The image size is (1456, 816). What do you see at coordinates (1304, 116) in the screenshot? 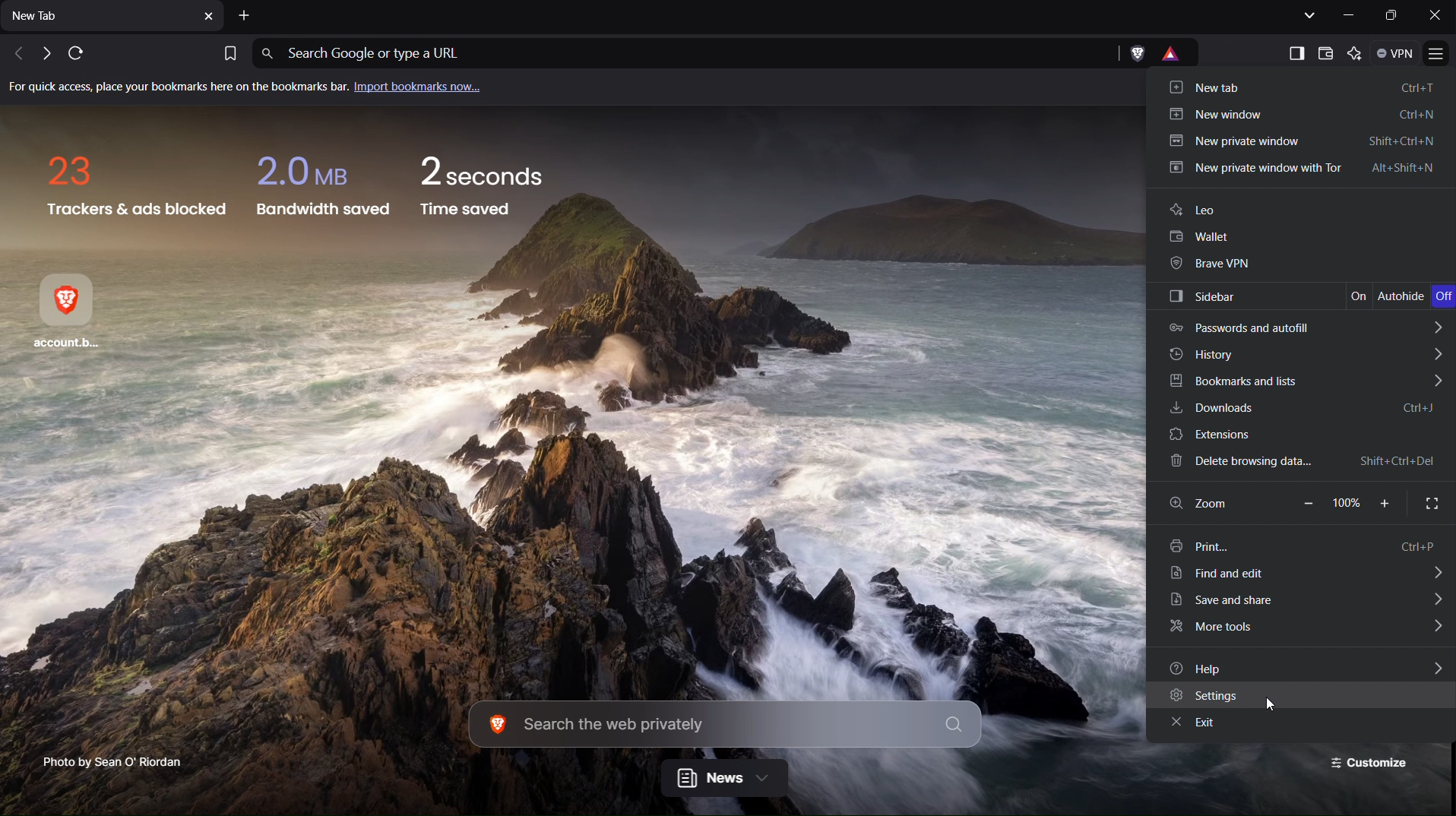
I see `New Window` at bounding box center [1304, 116].